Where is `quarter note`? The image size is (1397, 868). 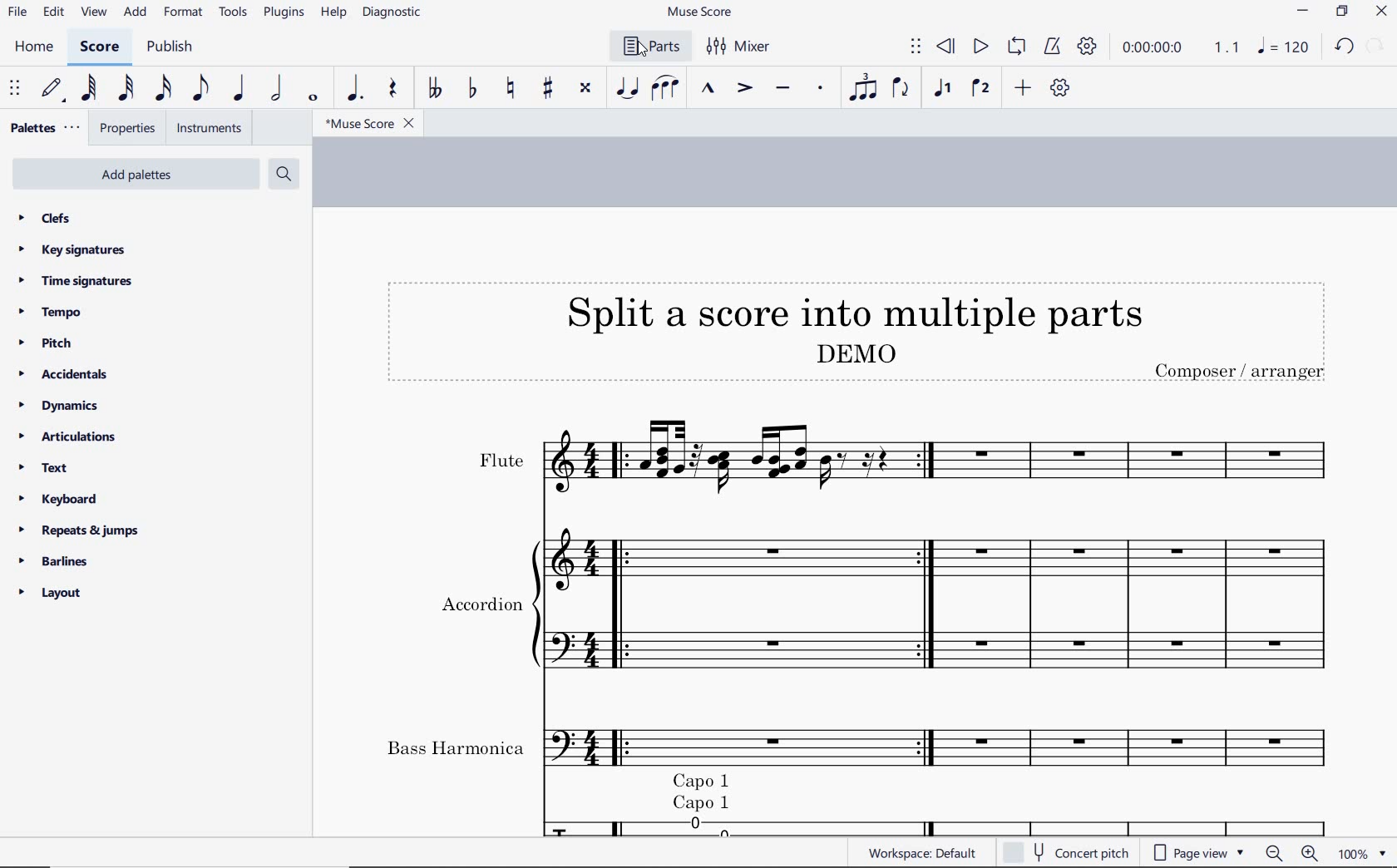
quarter note is located at coordinates (241, 86).